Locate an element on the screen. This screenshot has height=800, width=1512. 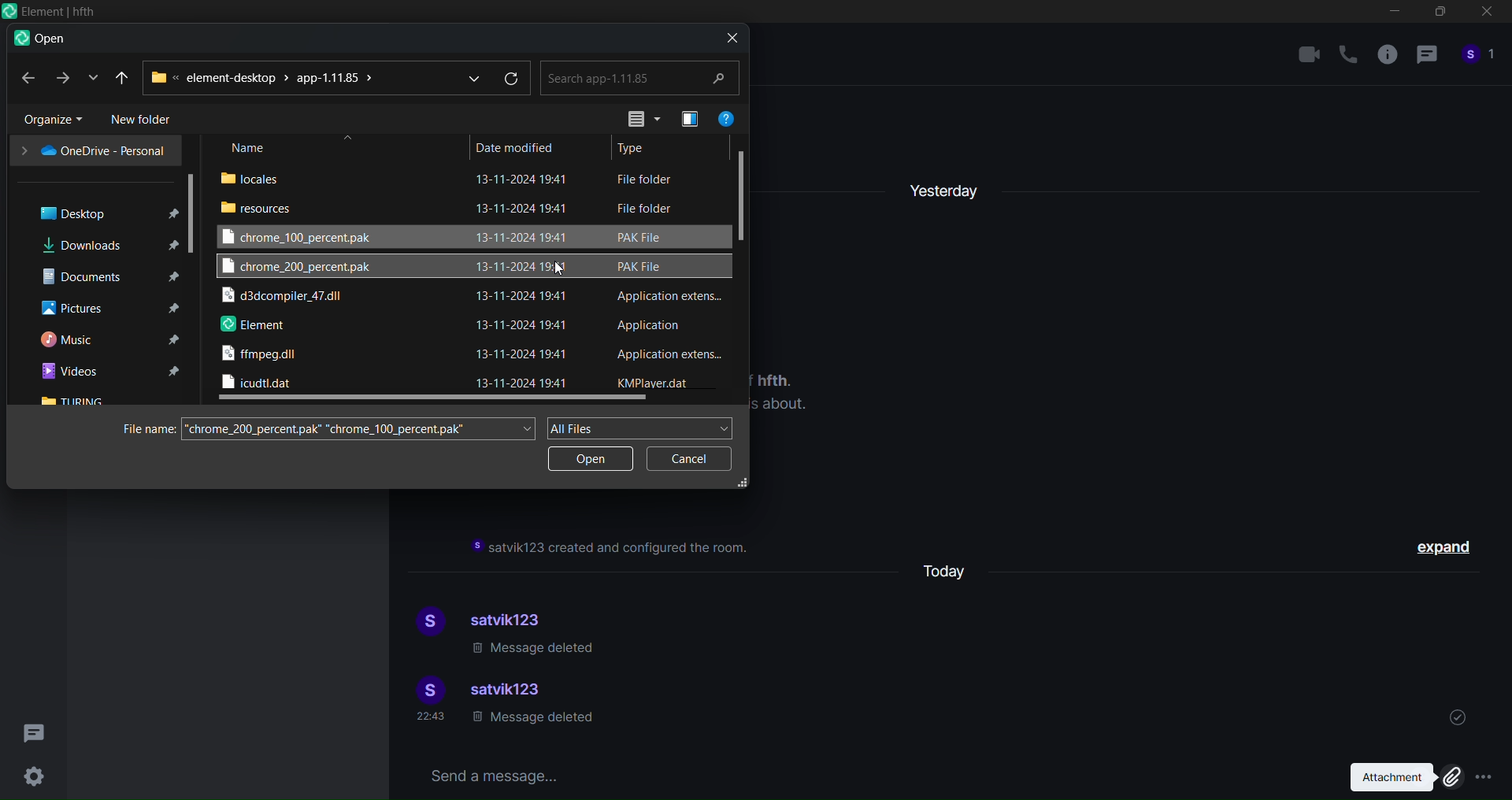
horizontal scroll bar is located at coordinates (434, 400).